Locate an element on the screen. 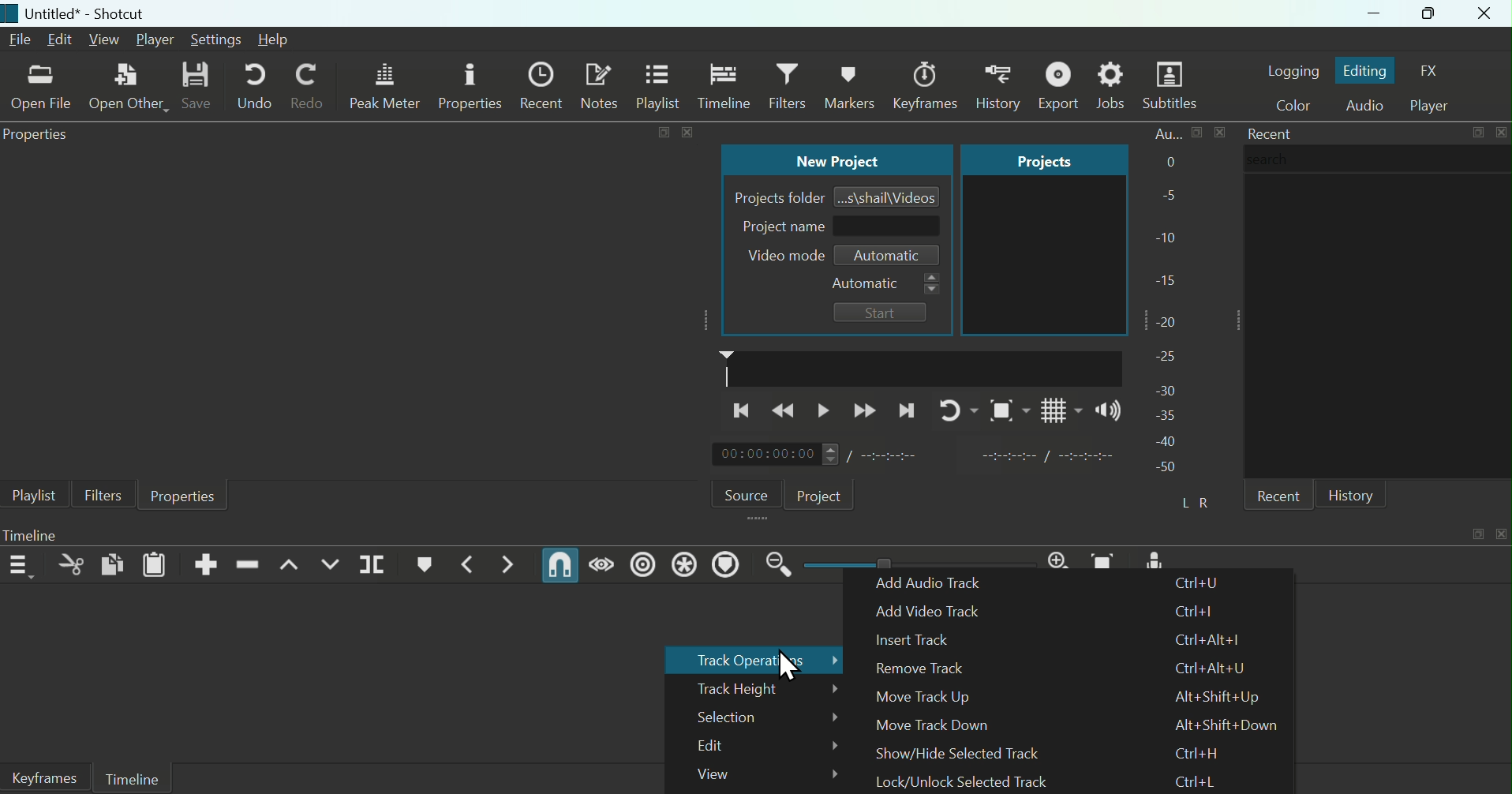  Video mode is located at coordinates (780, 256).